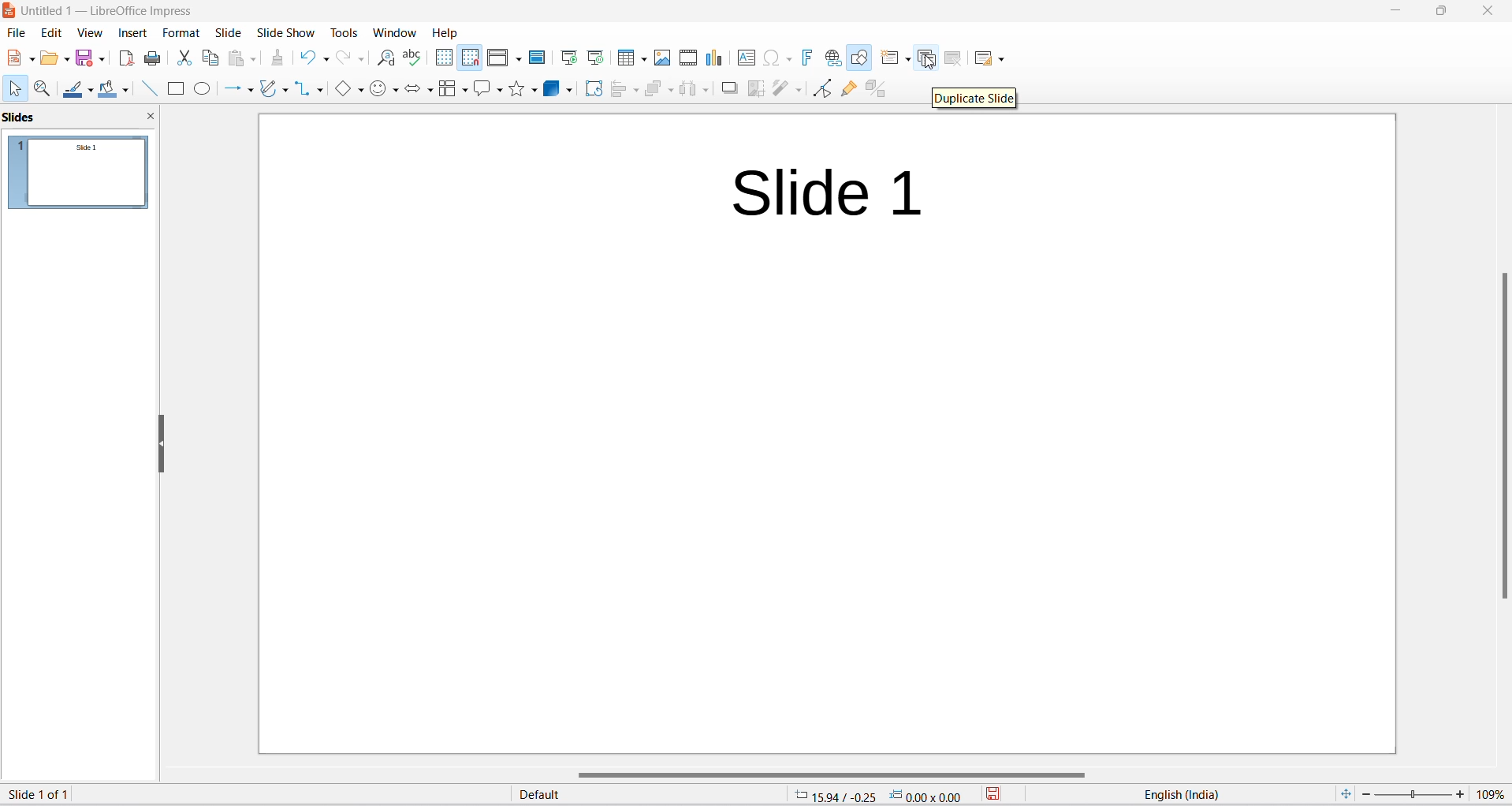  Describe the element at coordinates (831, 57) in the screenshot. I see `hyperlink` at that location.